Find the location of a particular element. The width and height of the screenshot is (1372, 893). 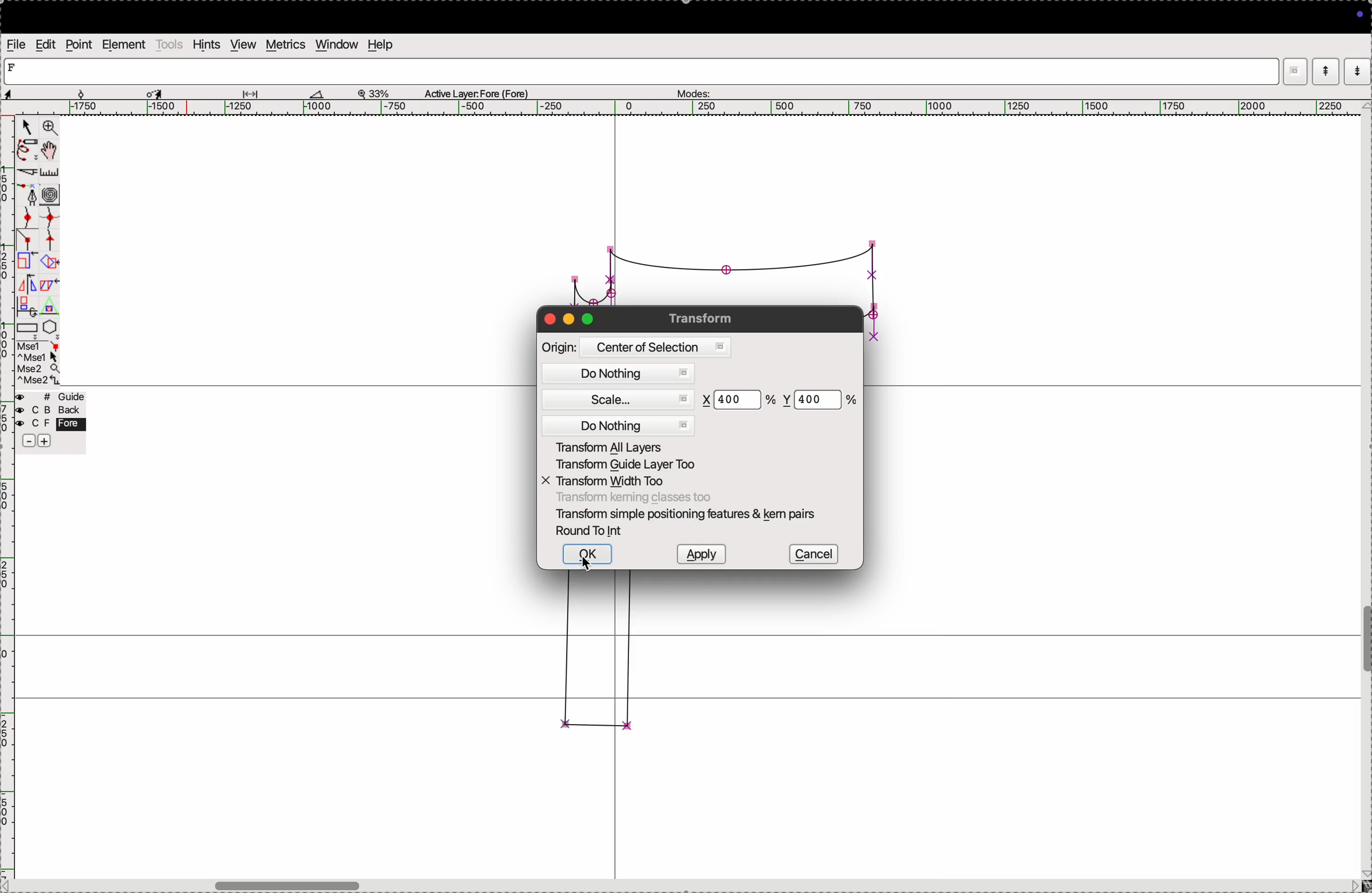

view is located at coordinates (242, 44).